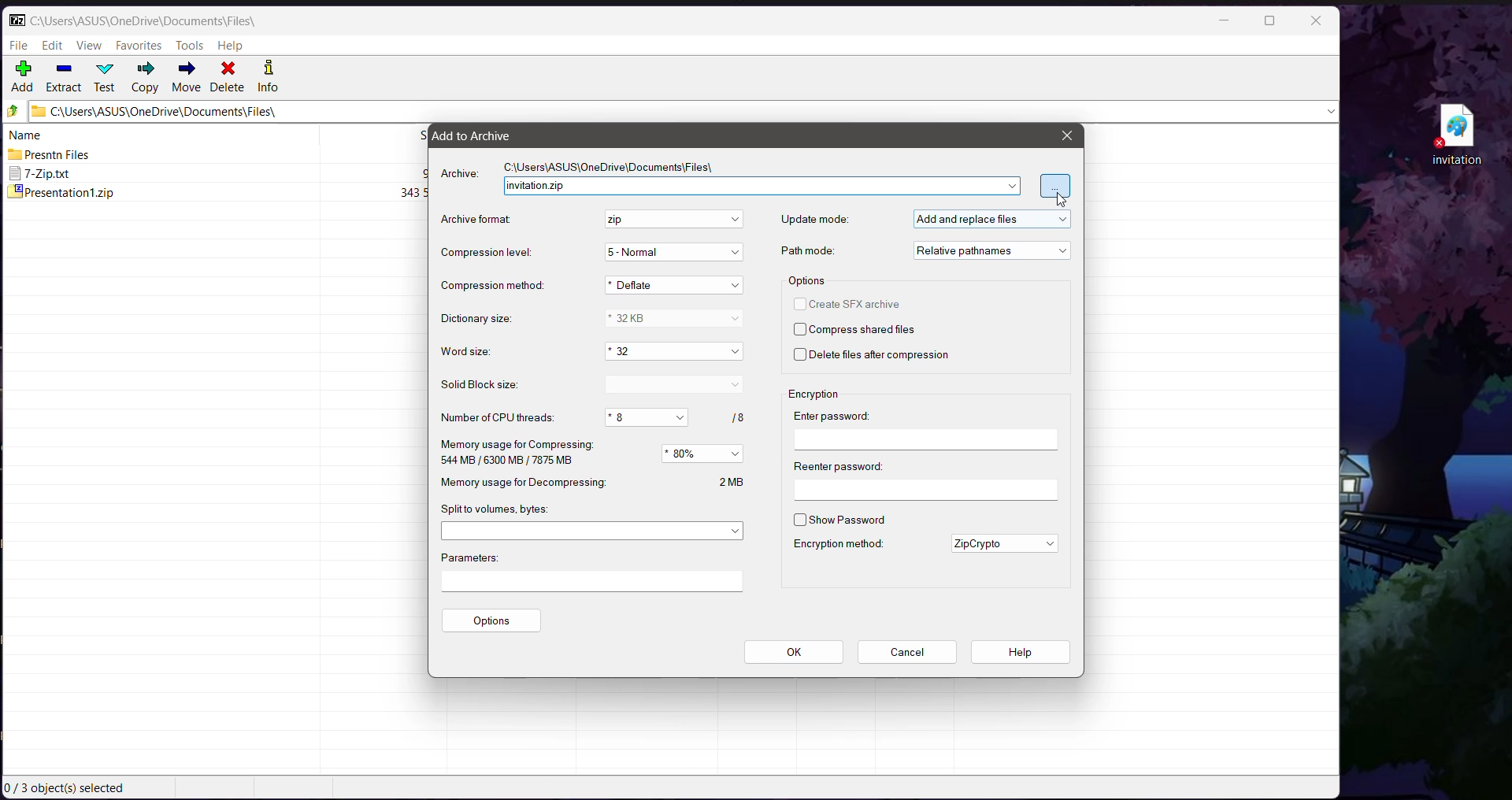  Describe the element at coordinates (472, 352) in the screenshot. I see `Word size` at that location.